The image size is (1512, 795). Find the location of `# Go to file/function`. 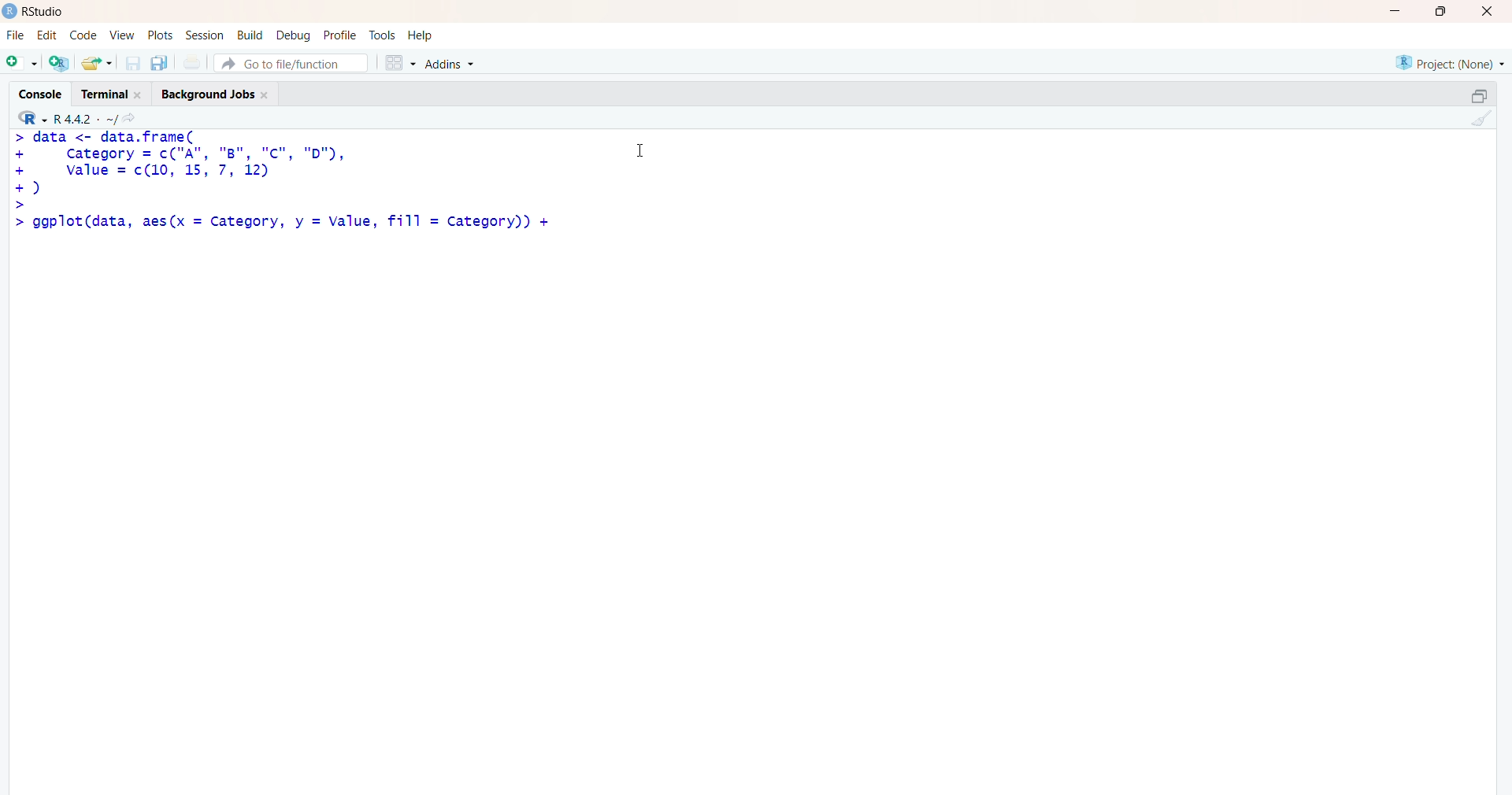

# Go to file/function is located at coordinates (291, 63).